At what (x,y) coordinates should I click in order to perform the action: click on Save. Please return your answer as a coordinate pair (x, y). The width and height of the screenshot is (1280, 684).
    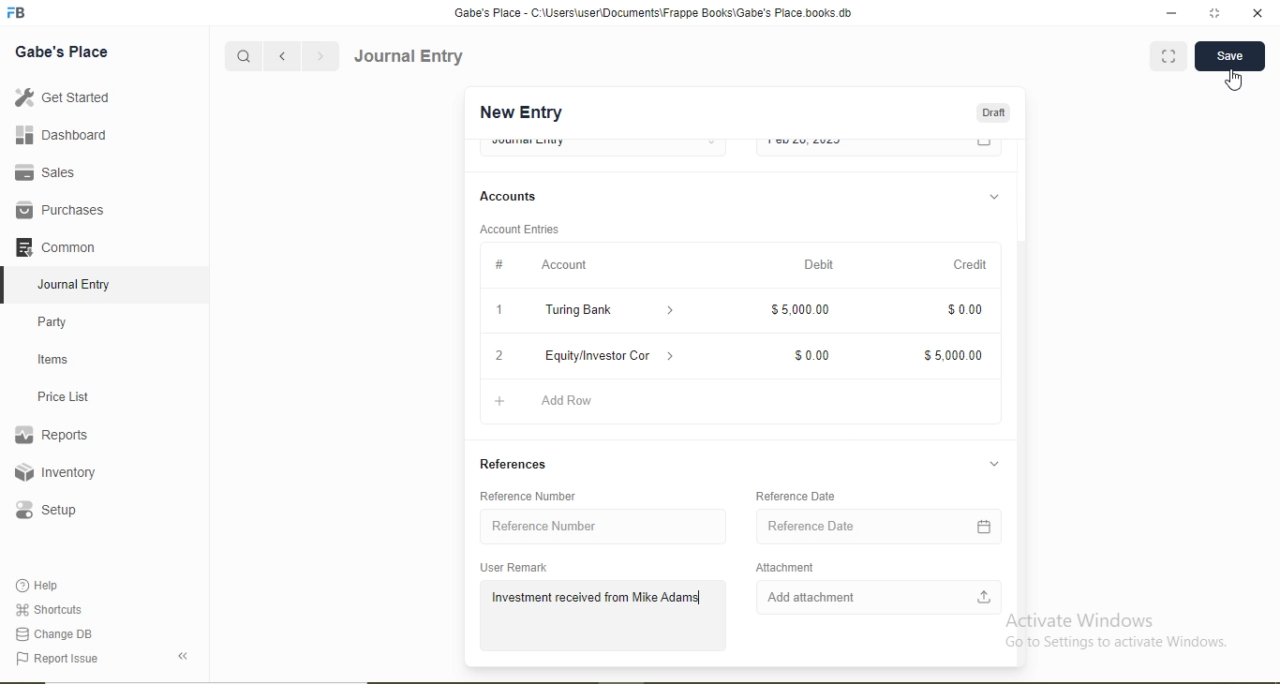
    Looking at the image, I should click on (1229, 54).